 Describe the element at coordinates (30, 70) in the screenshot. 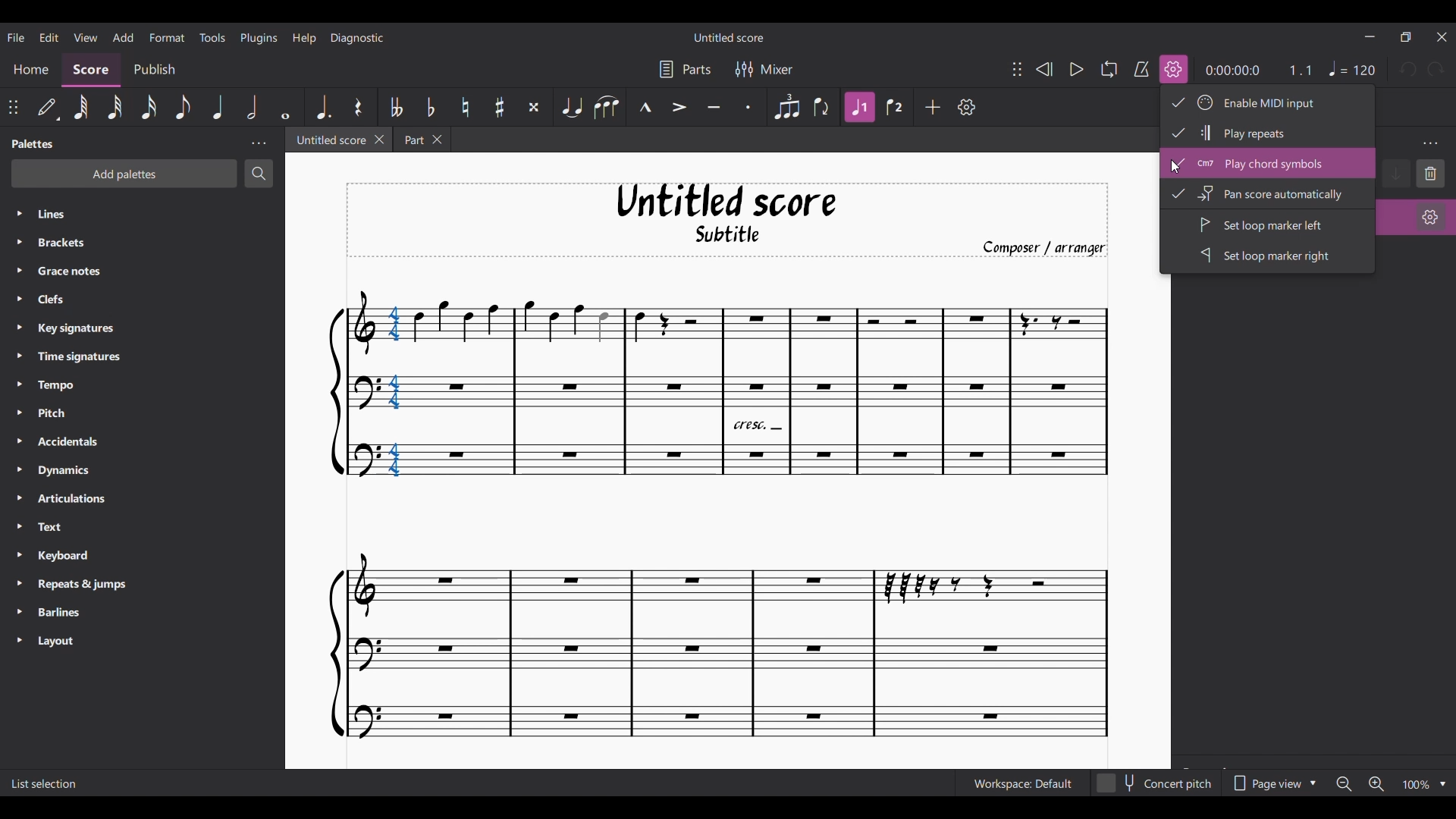

I see `Home section` at that location.